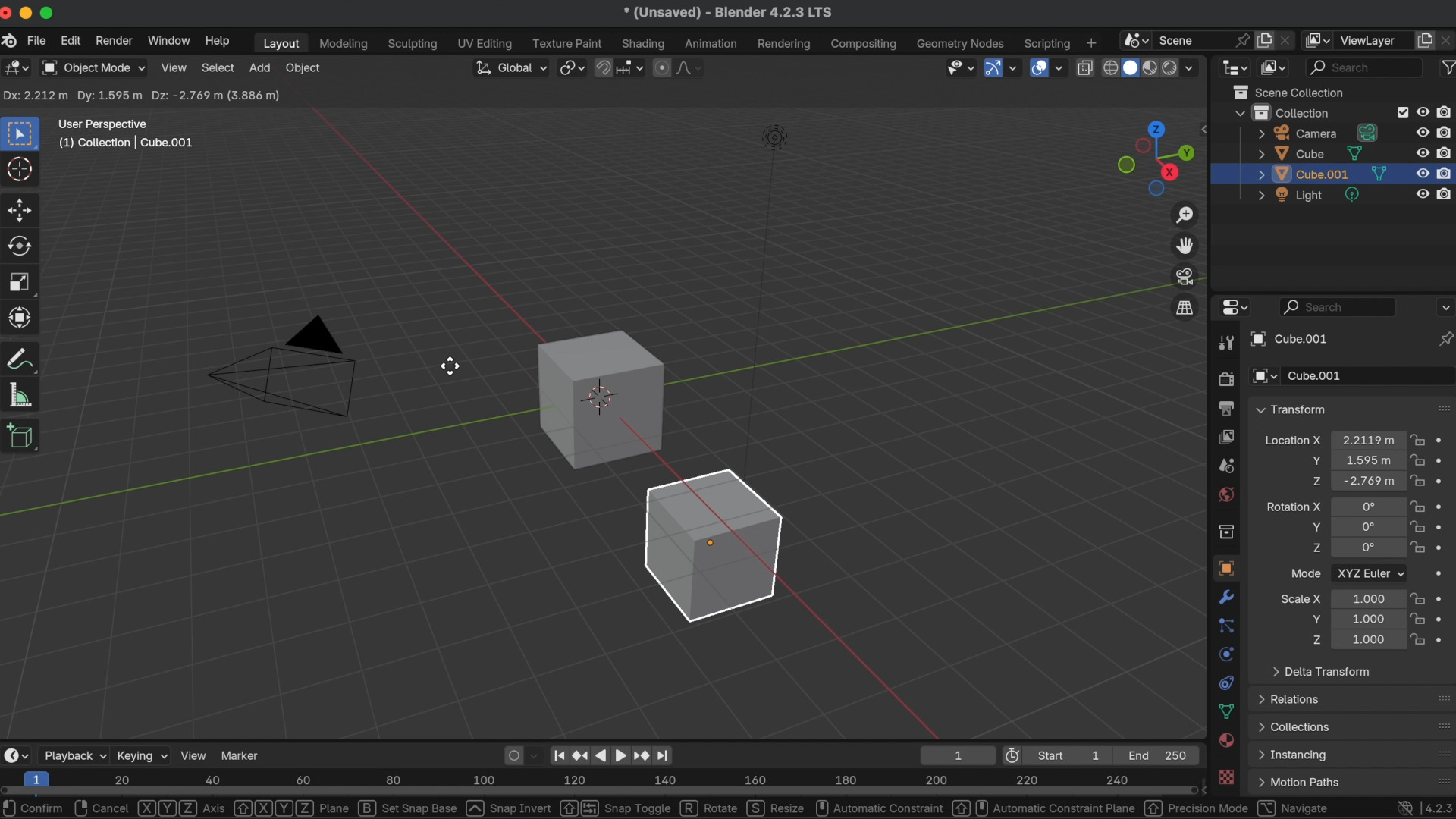  I want to click on rendering, so click(784, 44).